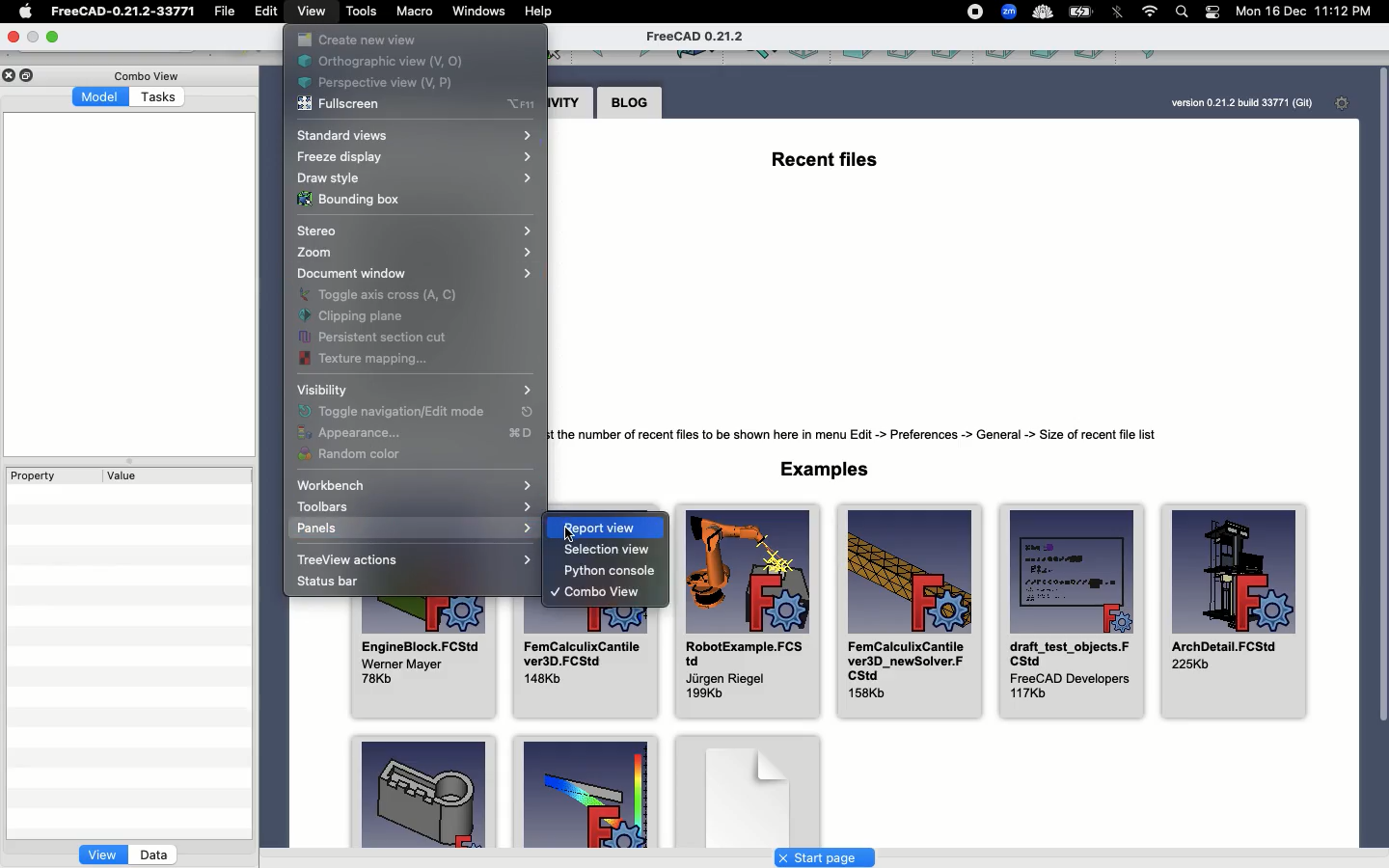 The image size is (1389, 868). I want to click on Report view, so click(603, 526).